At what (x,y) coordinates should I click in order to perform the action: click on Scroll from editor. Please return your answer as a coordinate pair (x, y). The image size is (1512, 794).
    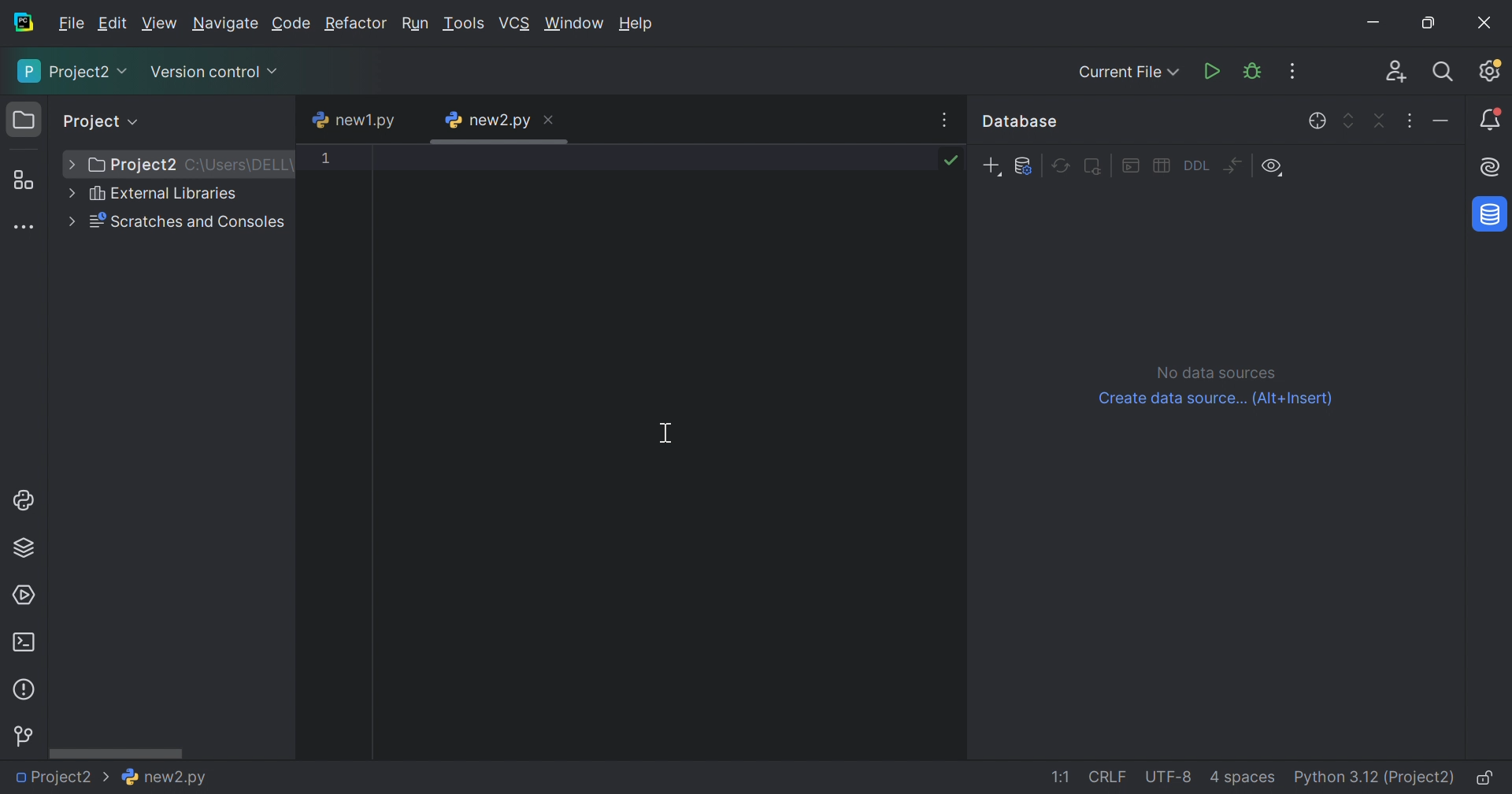
    Looking at the image, I should click on (1317, 121).